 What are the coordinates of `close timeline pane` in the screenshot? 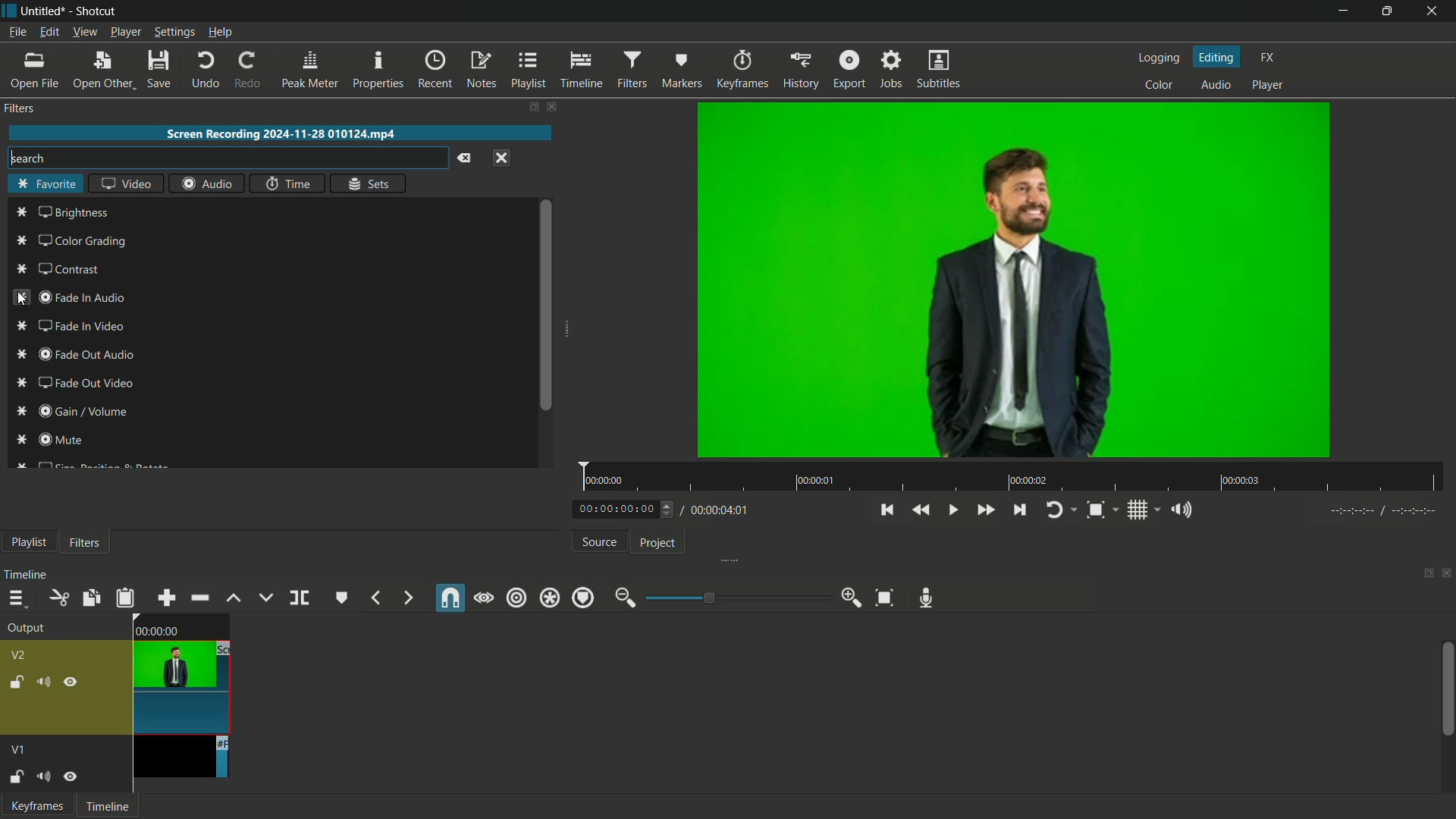 It's located at (1447, 573).